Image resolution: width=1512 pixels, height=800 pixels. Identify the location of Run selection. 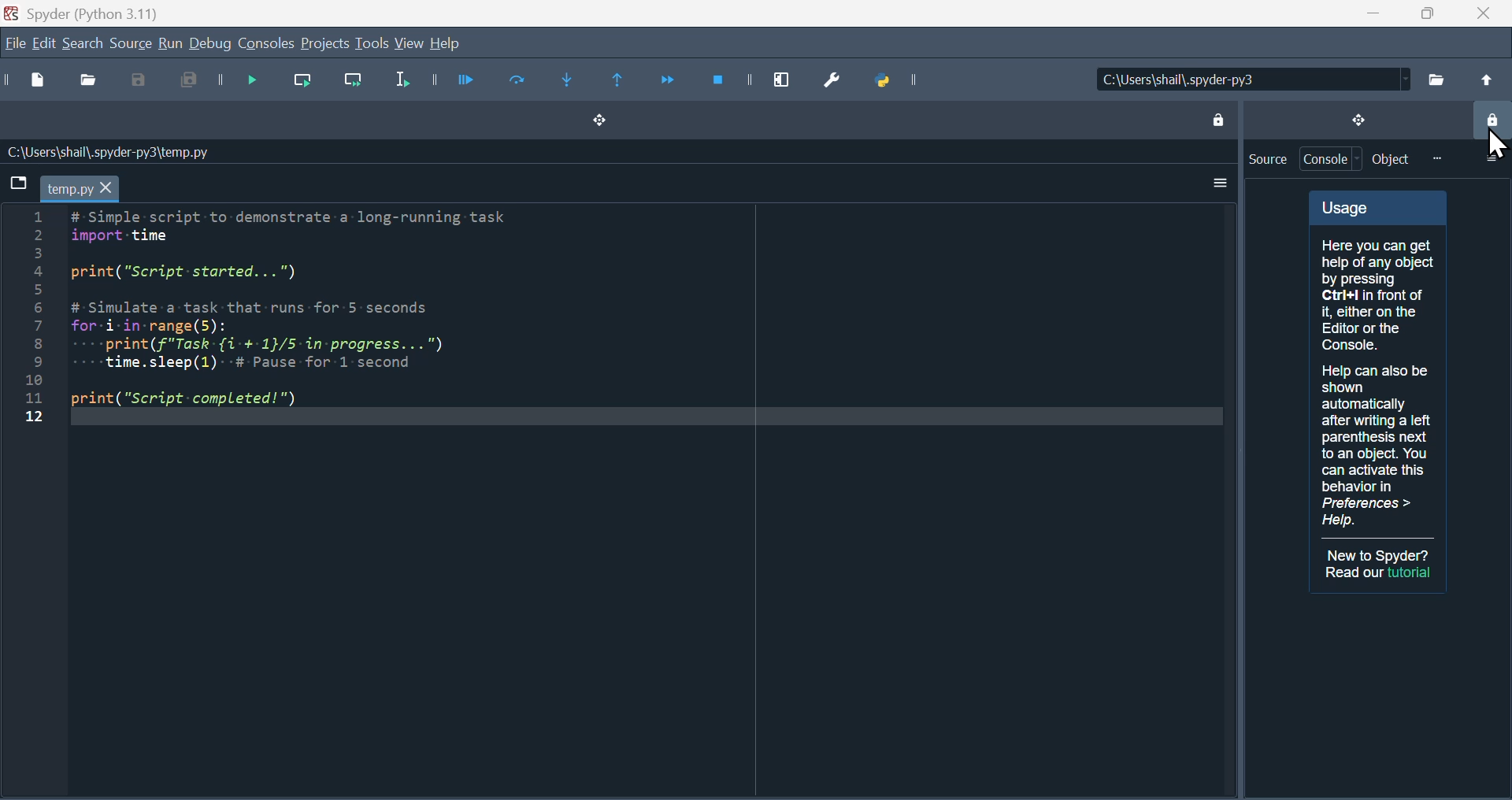
(399, 83).